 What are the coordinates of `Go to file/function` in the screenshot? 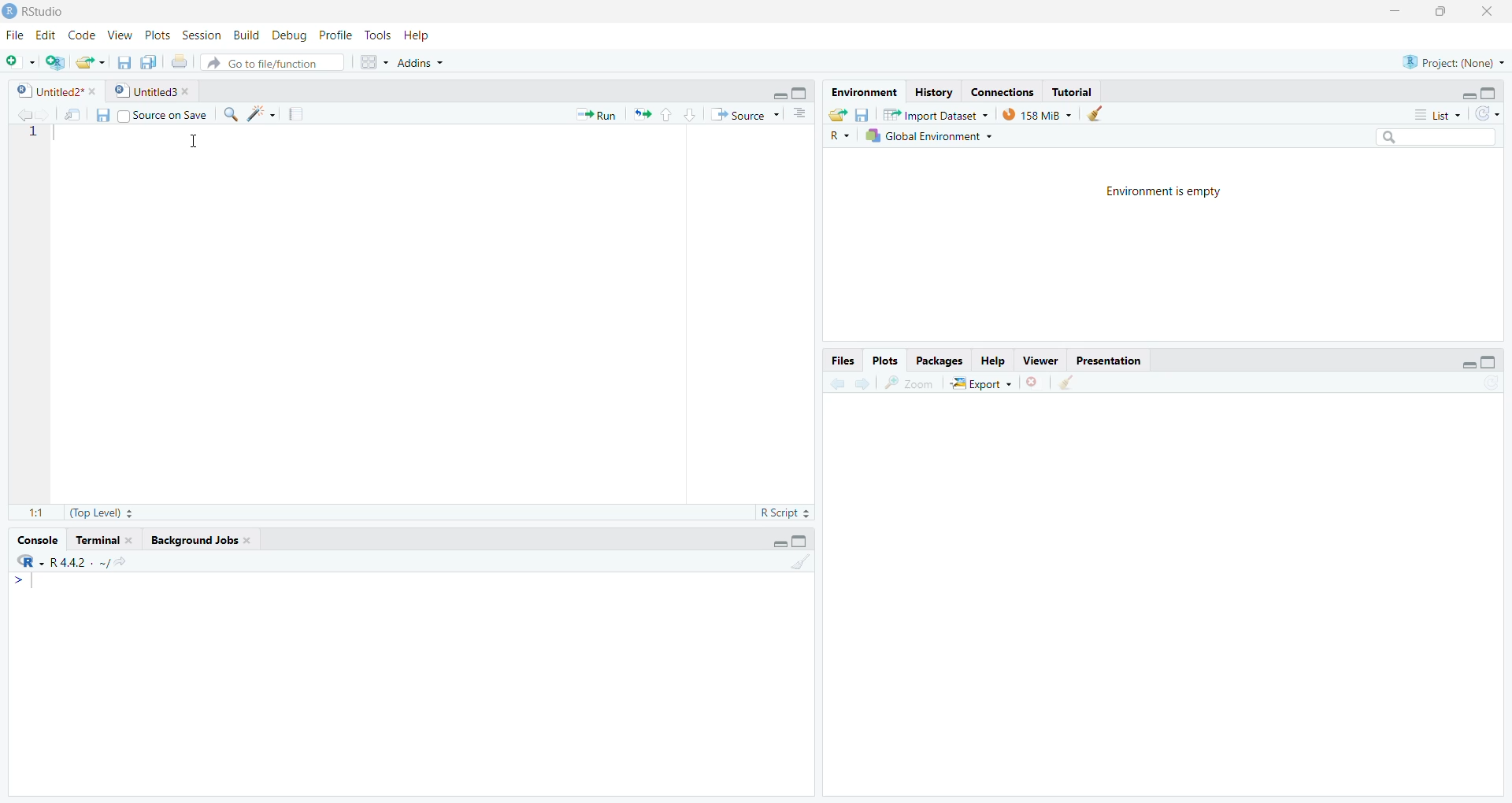 It's located at (276, 62).